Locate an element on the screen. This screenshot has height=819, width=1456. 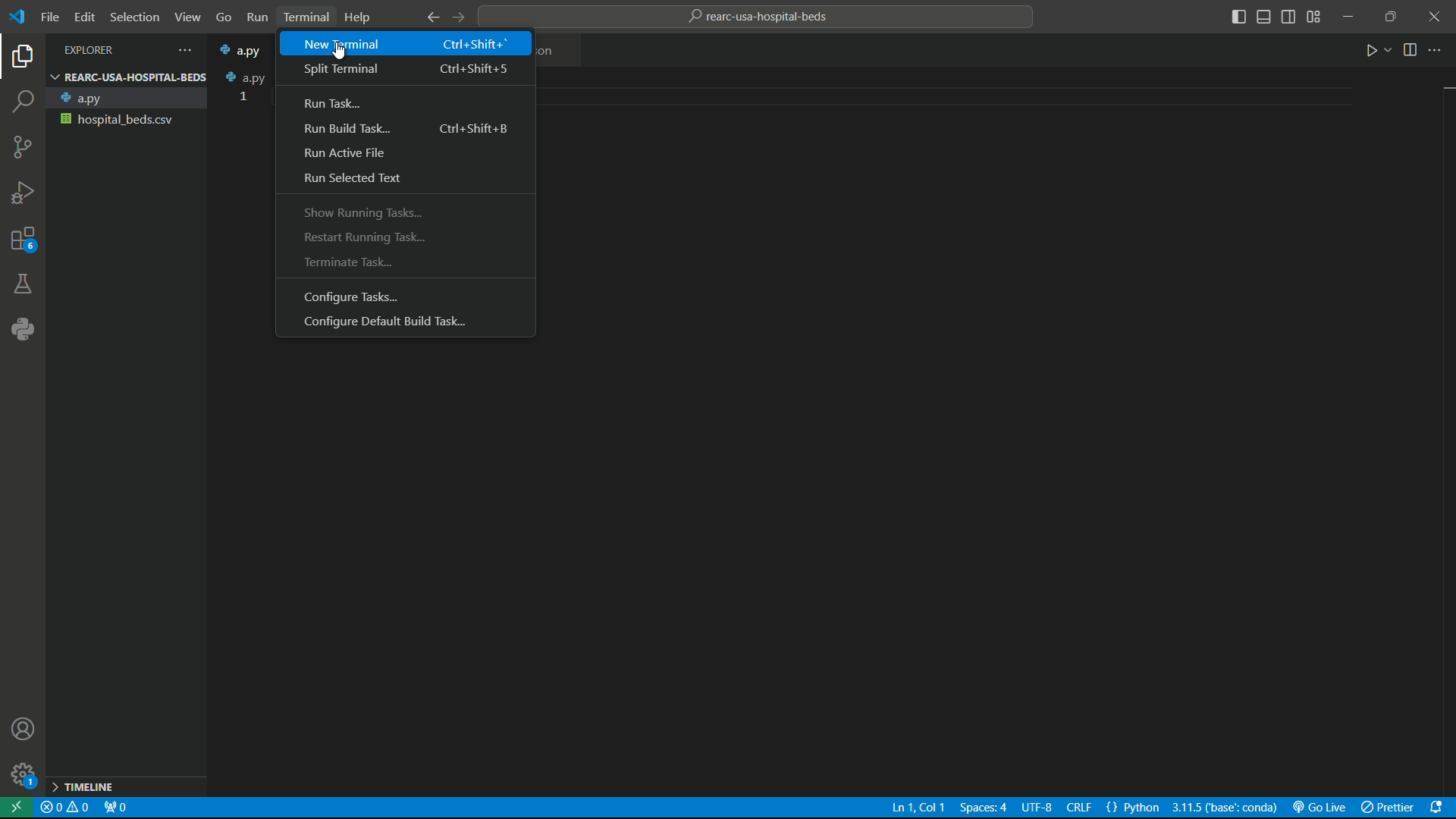
show running task is located at coordinates (408, 211).